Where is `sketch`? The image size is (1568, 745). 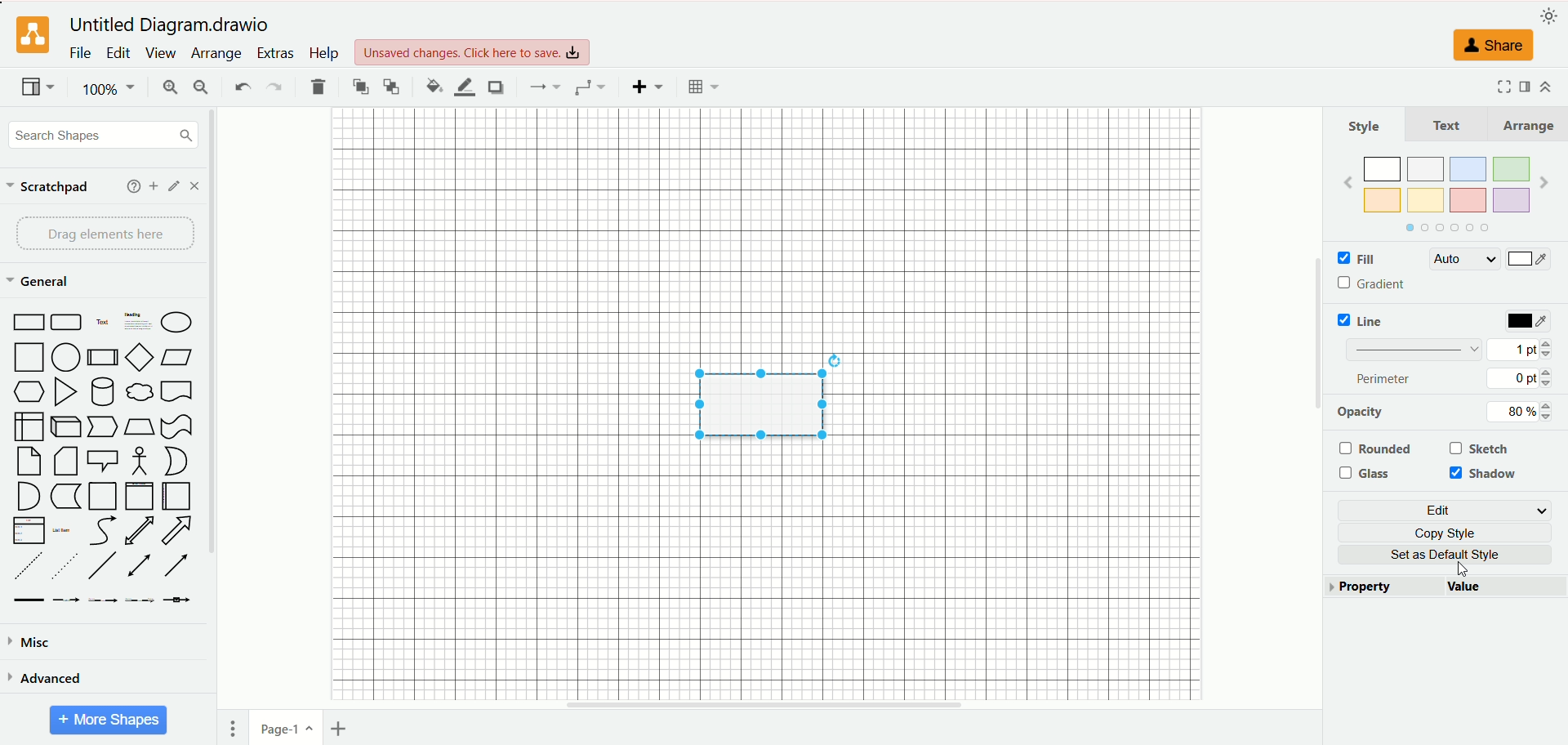
sketch is located at coordinates (1481, 448).